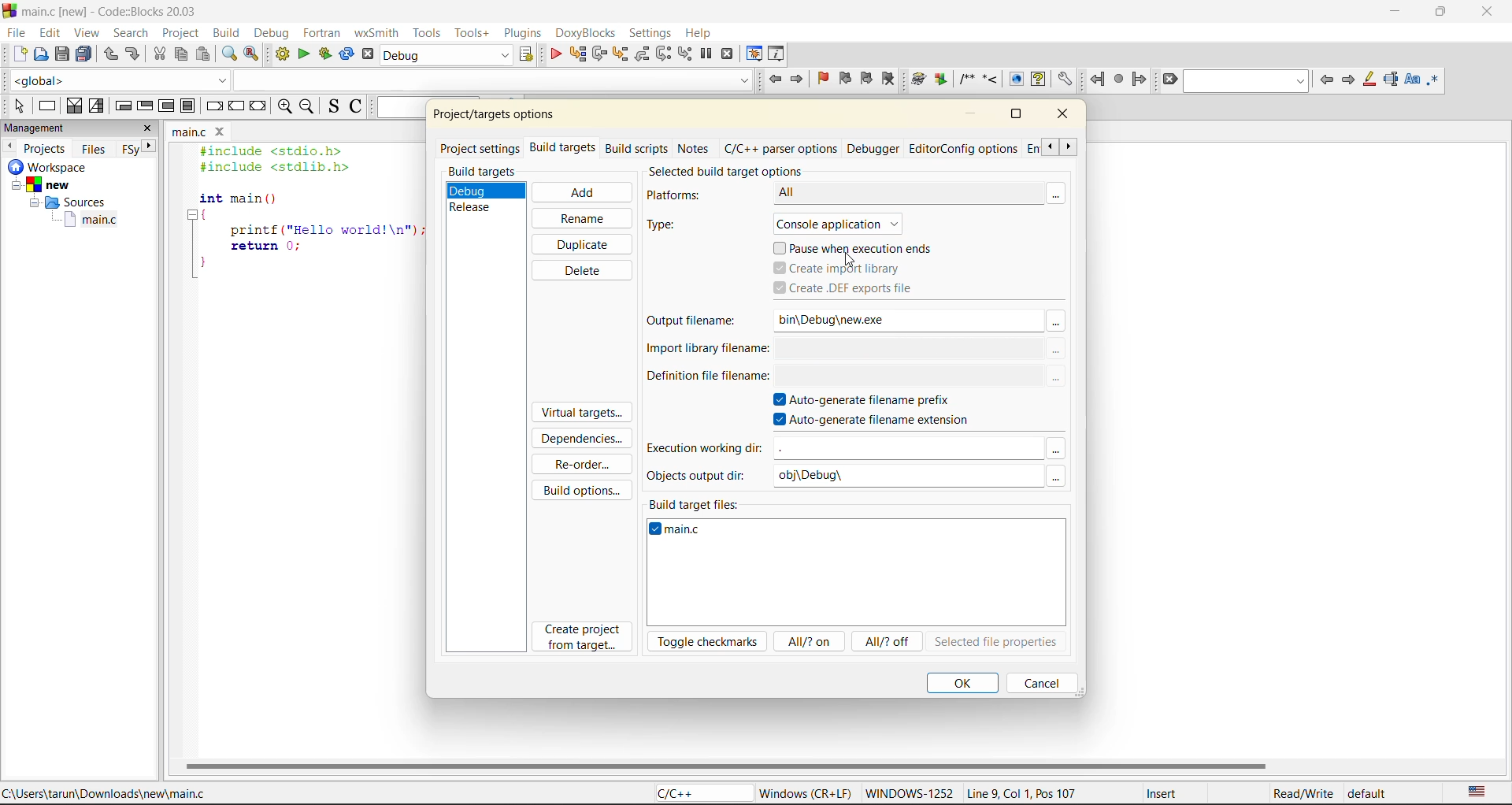 This screenshot has width=1512, height=805. Describe the element at coordinates (860, 247) in the screenshot. I see `pause when execution ends` at that location.